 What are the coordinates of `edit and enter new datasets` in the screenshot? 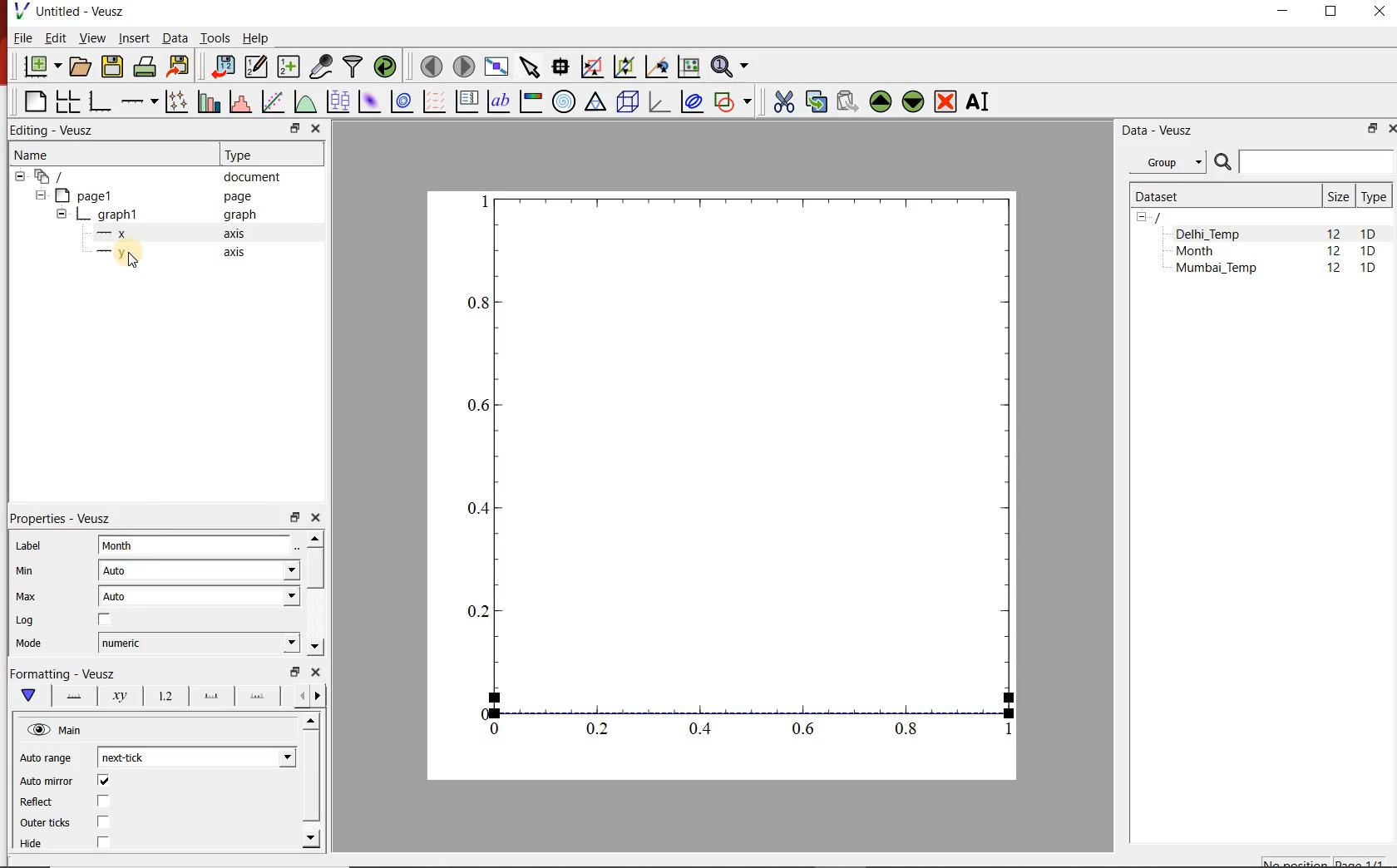 It's located at (255, 67).